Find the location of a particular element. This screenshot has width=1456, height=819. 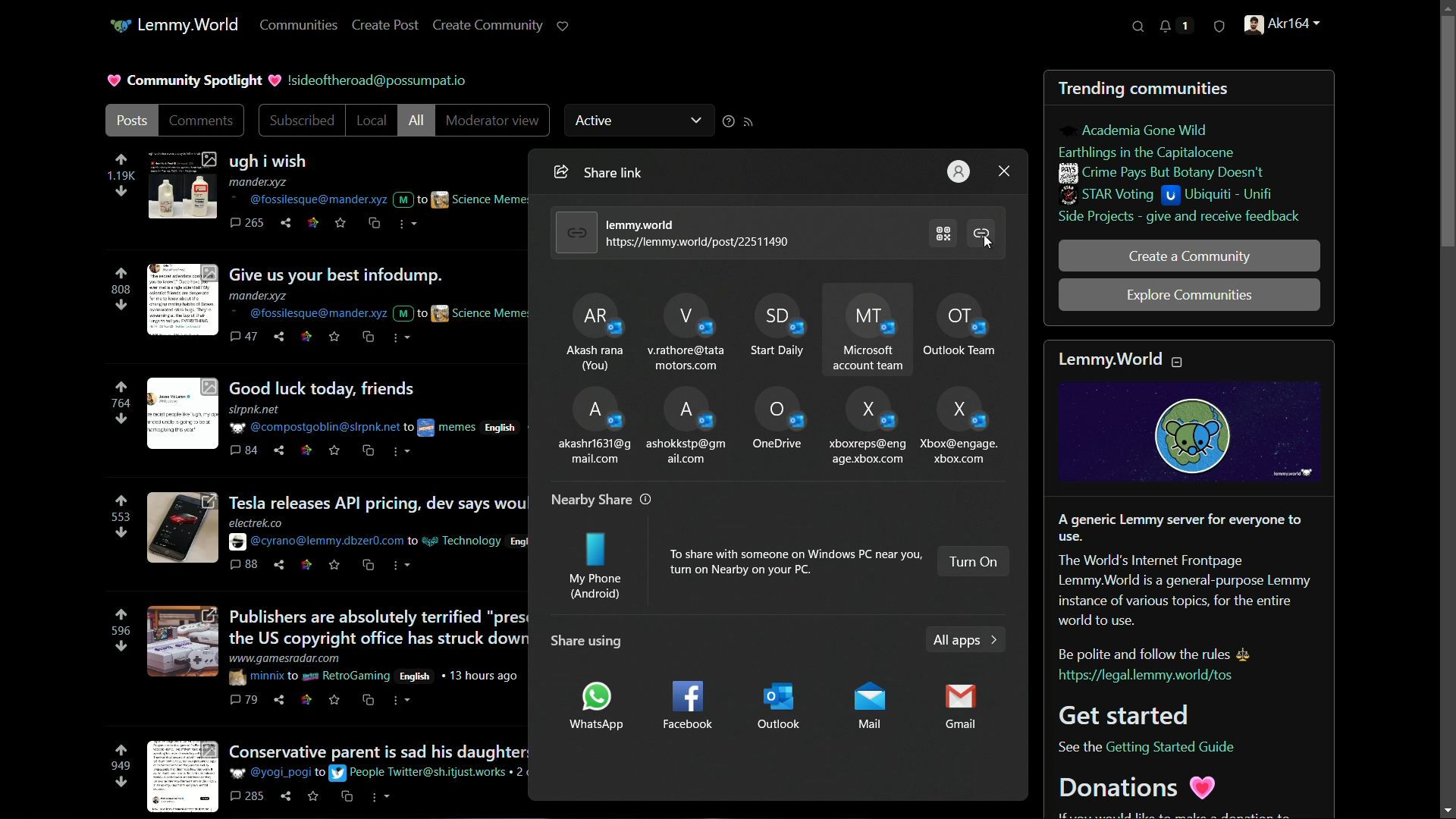

upvote is located at coordinates (121, 501).